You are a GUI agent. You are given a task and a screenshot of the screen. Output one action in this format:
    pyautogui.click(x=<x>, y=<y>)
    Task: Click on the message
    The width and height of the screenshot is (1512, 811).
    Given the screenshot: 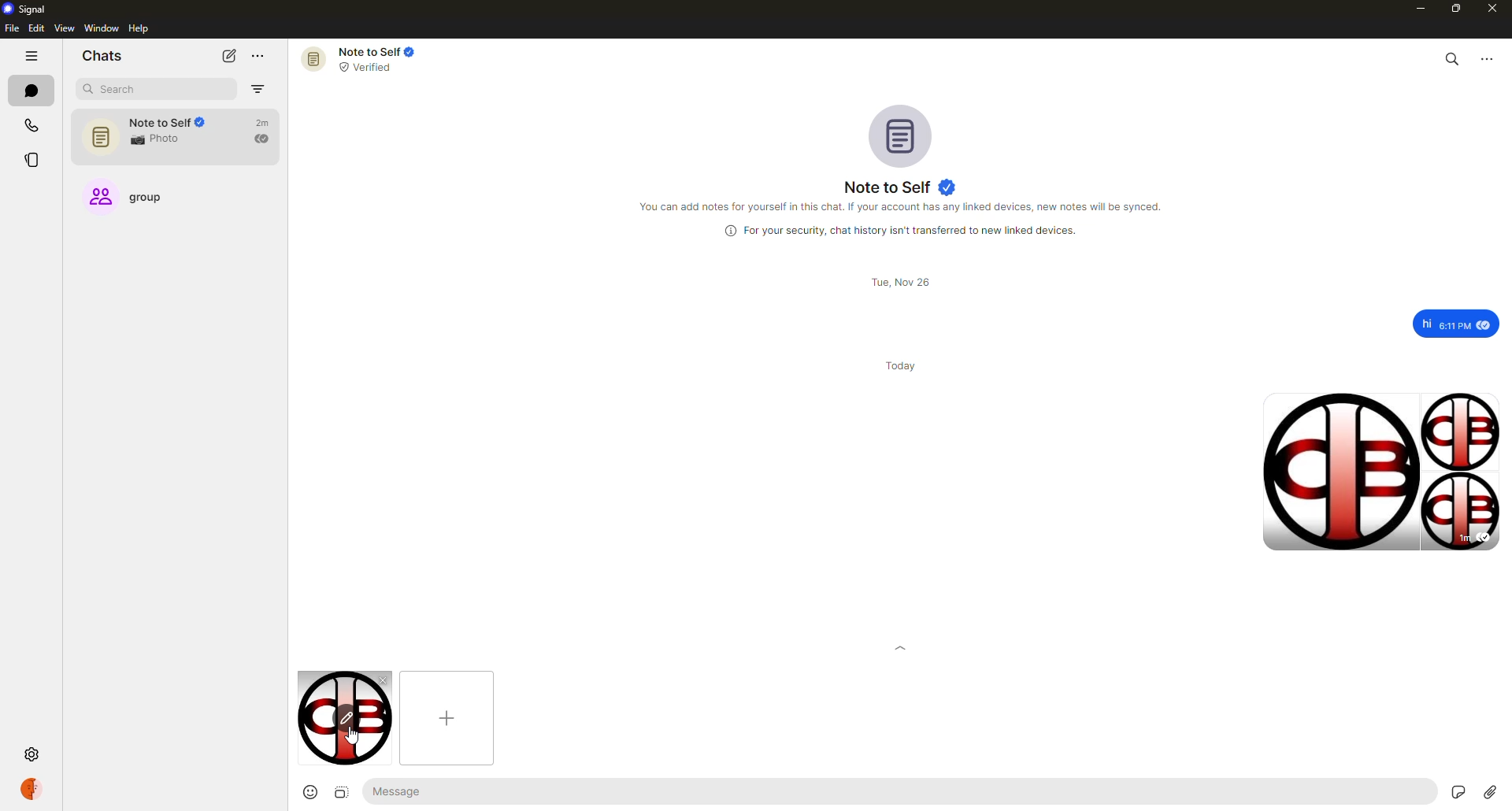 What is the action you would take?
    pyautogui.click(x=1457, y=323)
    